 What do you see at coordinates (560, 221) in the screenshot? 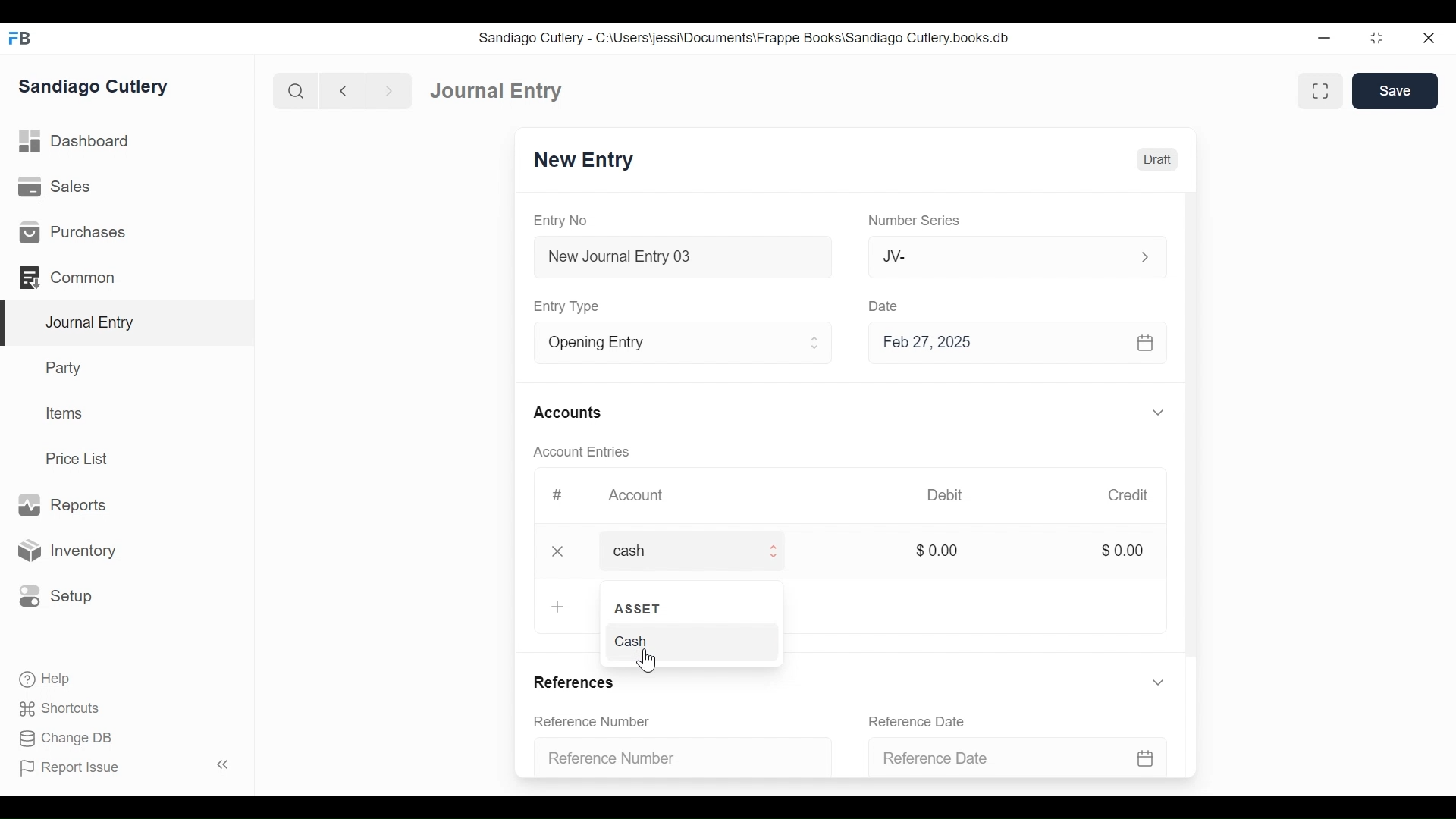
I see `Entry No` at bounding box center [560, 221].